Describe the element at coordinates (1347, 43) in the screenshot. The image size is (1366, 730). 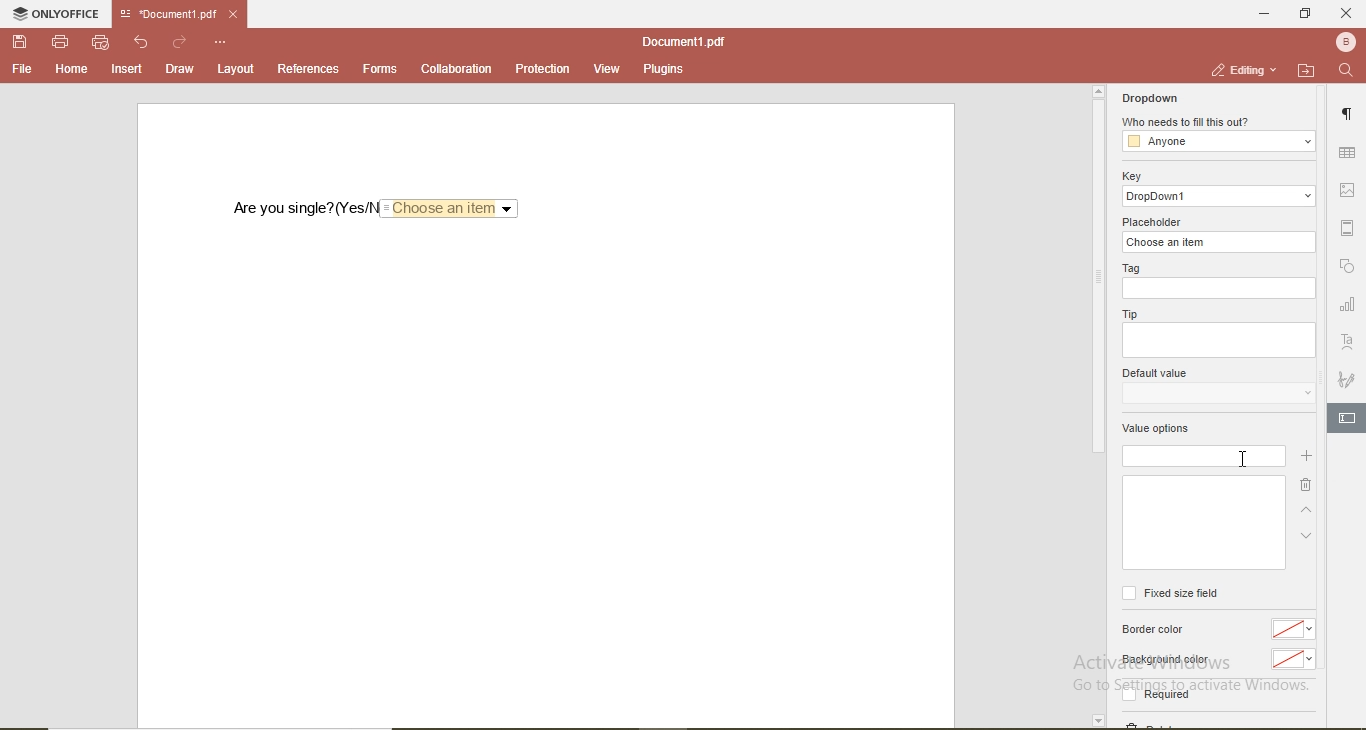
I see `profile` at that location.